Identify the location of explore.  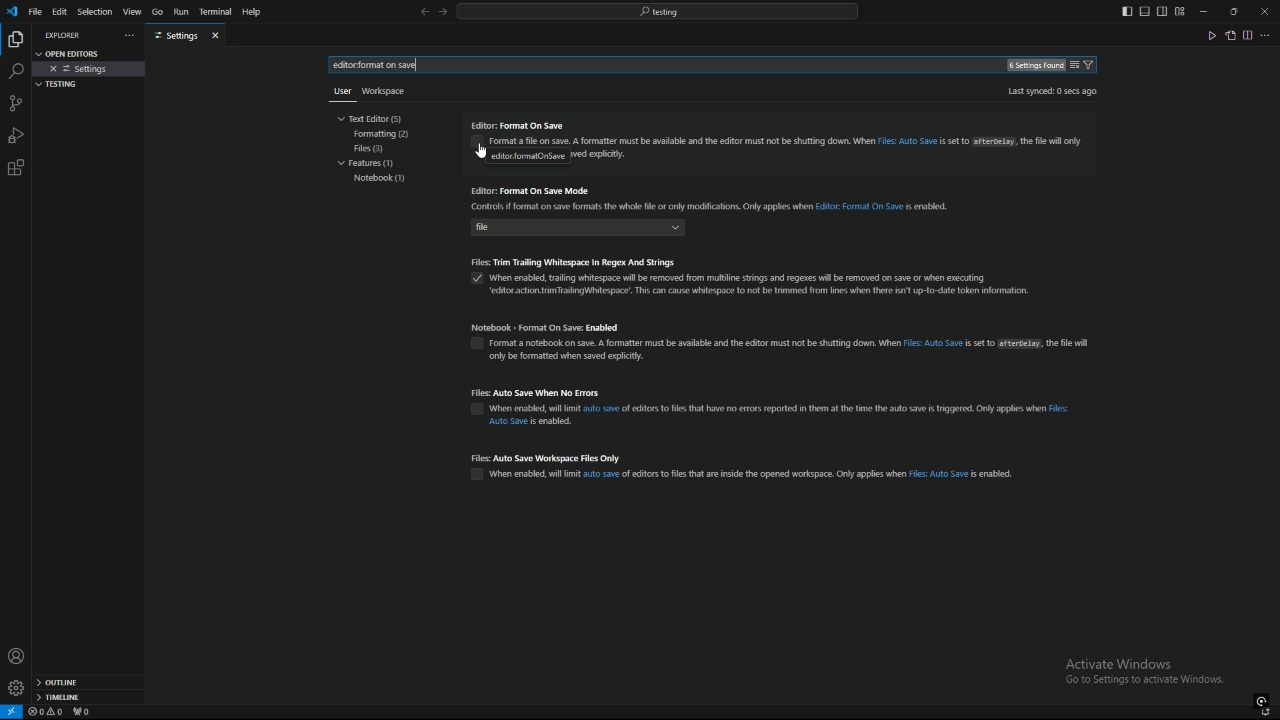
(15, 38).